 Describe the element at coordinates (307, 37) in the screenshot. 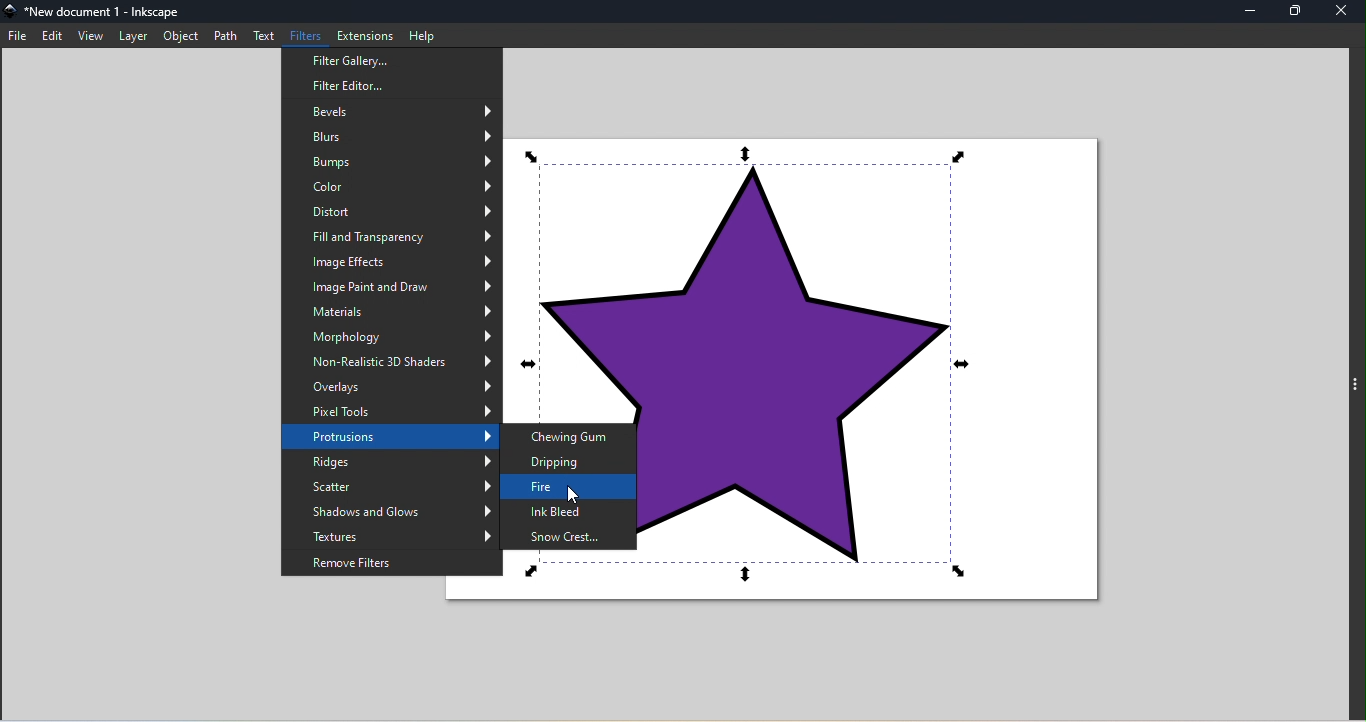

I see `Filters` at that location.